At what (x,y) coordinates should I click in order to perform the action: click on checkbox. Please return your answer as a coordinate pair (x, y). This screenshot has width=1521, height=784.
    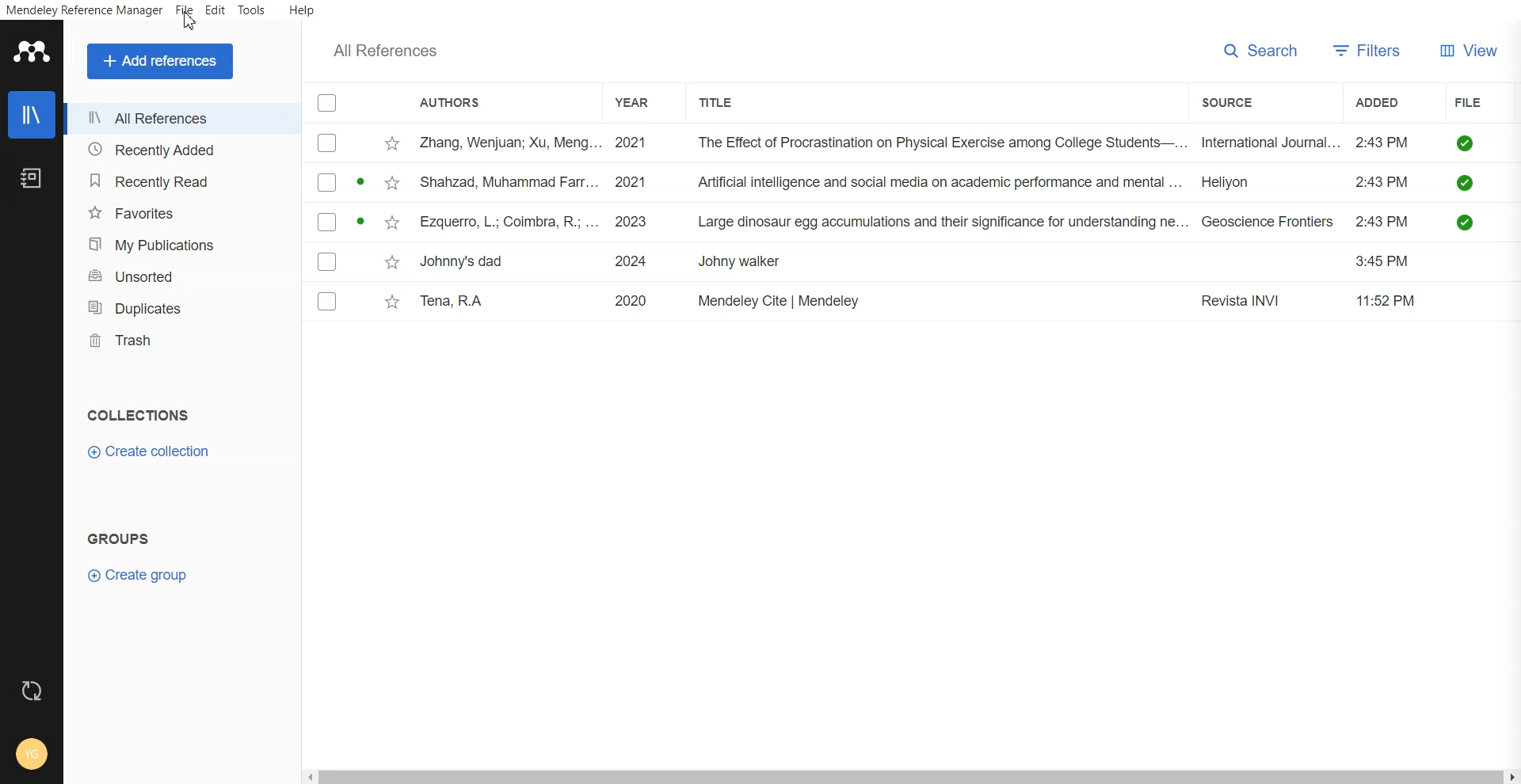
    Looking at the image, I should click on (327, 221).